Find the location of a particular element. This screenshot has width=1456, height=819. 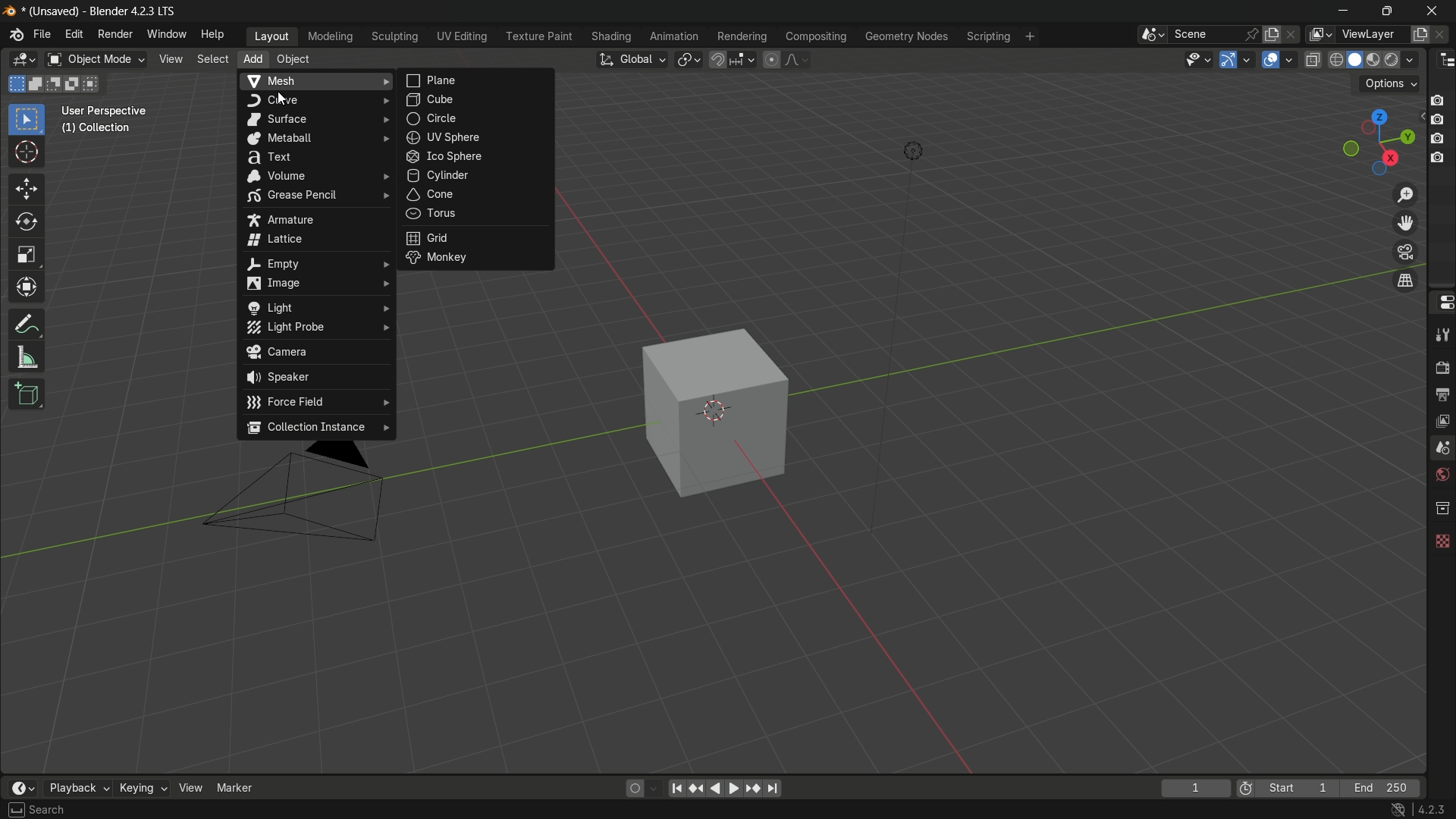

light is located at coordinates (315, 306).